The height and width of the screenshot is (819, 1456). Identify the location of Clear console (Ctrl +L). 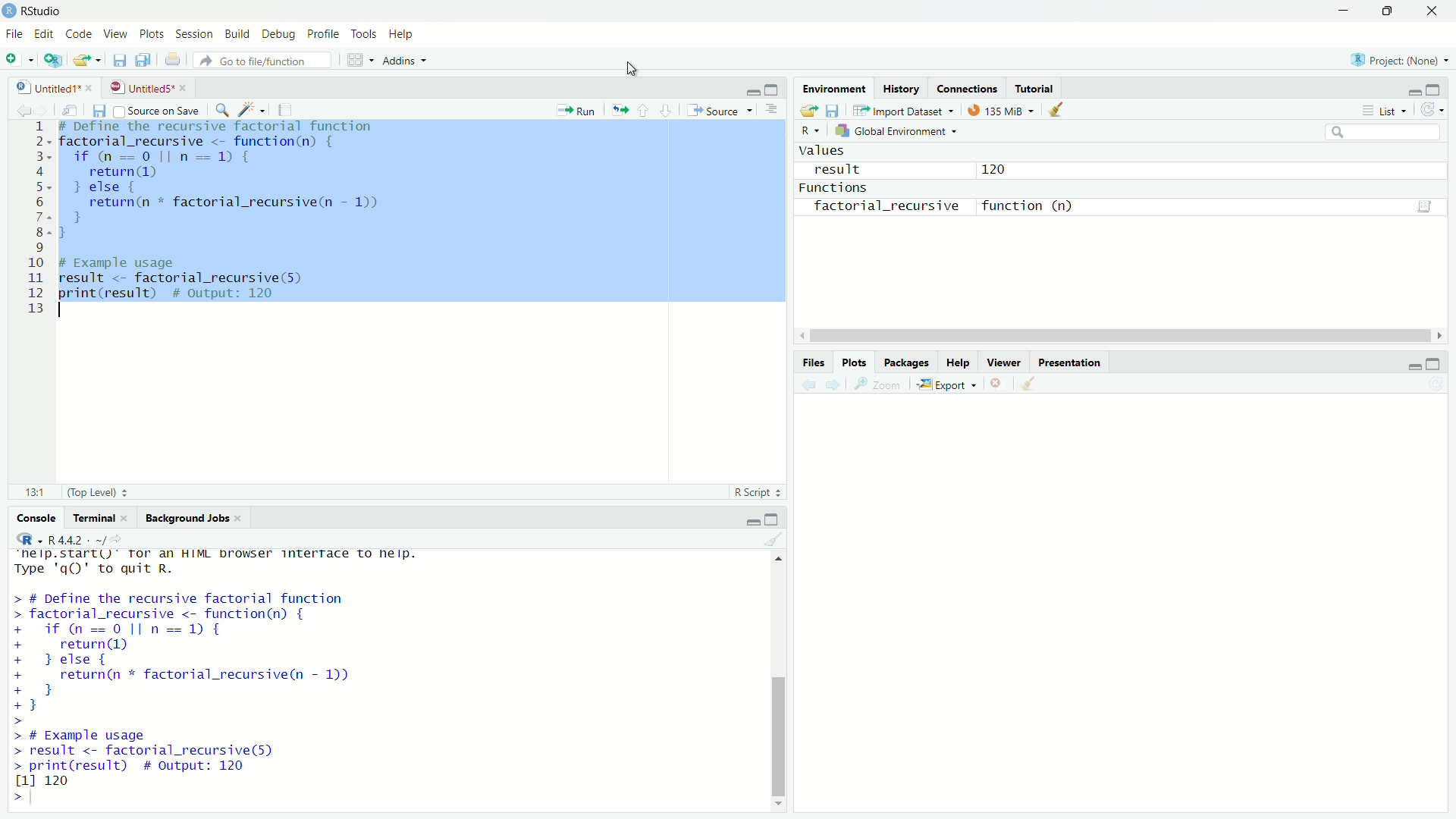
(1032, 381).